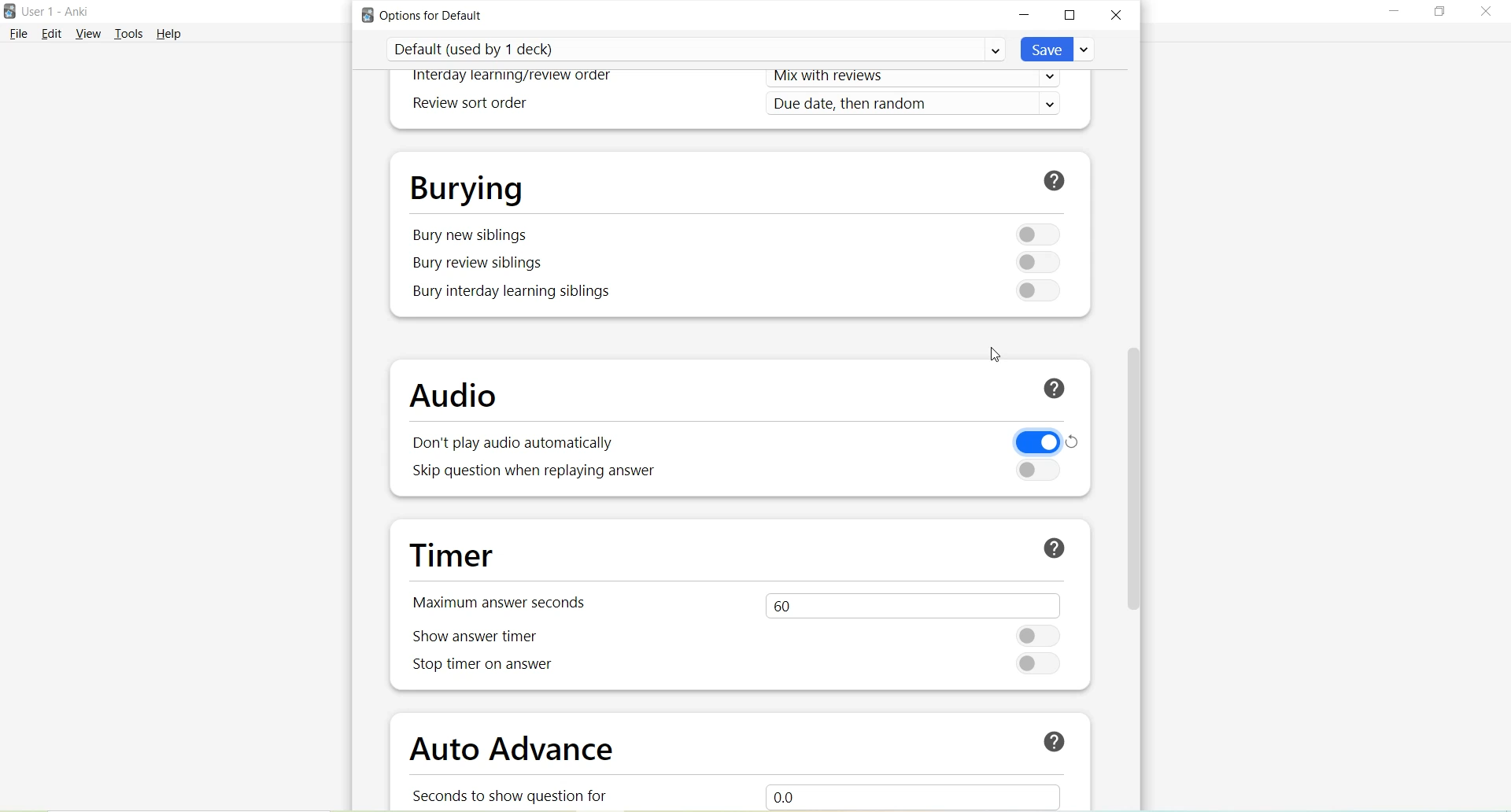 This screenshot has width=1511, height=812. Describe the element at coordinates (428, 15) in the screenshot. I see `Options for Default` at that location.